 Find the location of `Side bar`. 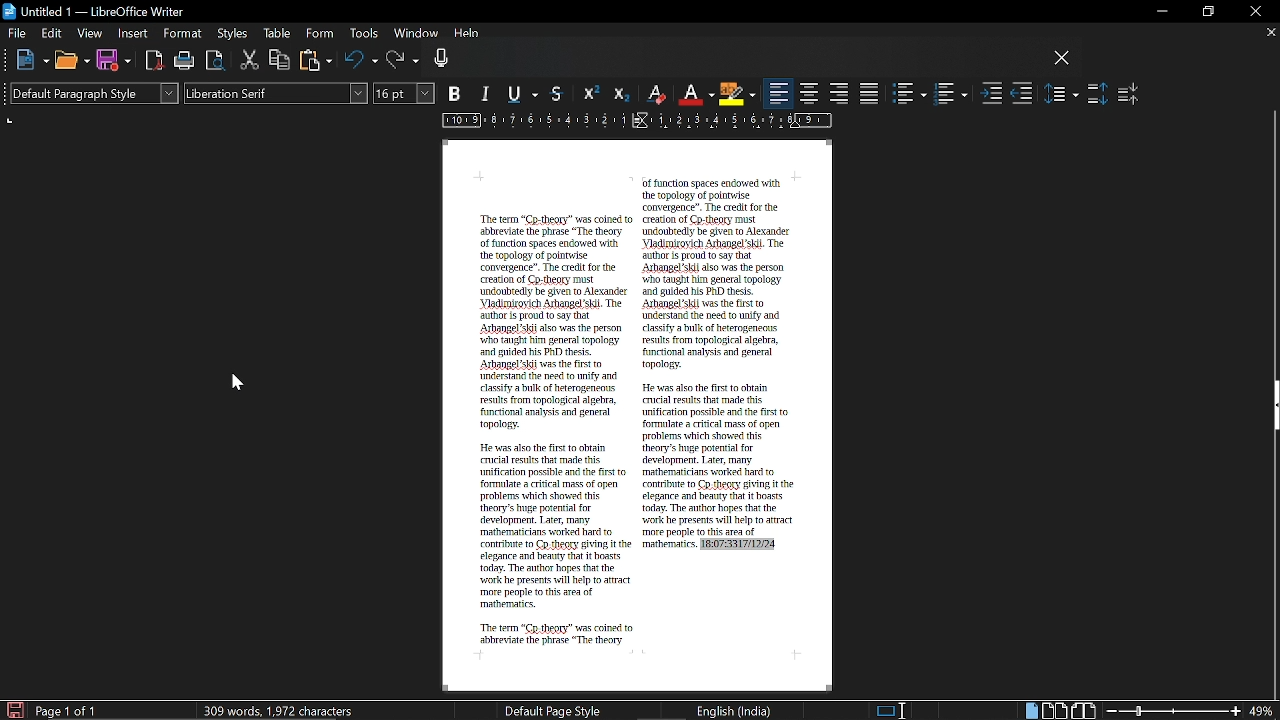

Side bar is located at coordinates (1272, 408).